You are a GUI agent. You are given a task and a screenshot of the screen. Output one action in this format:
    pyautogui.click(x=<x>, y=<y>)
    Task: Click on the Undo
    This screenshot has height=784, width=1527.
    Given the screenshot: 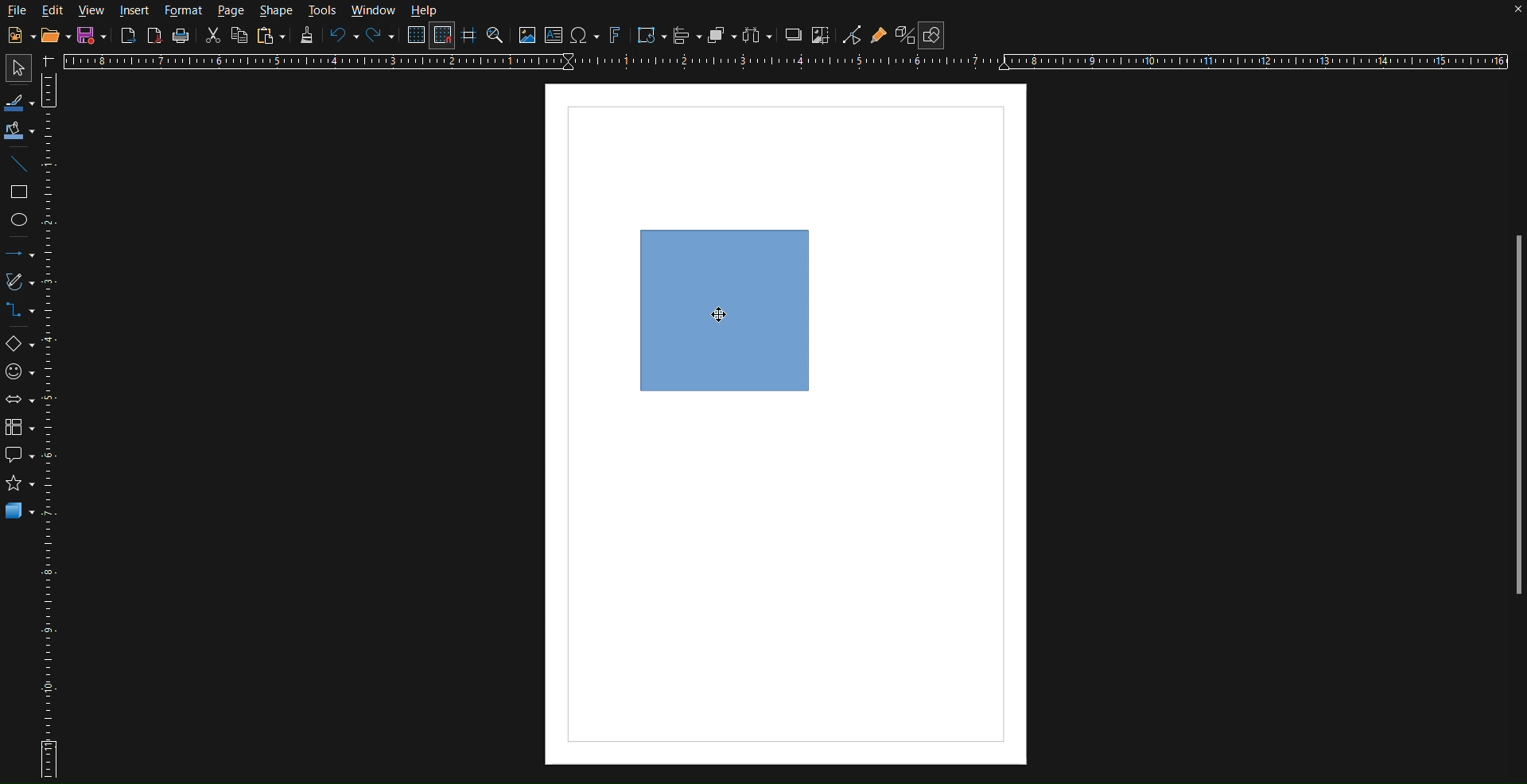 What is the action you would take?
    pyautogui.click(x=343, y=37)
    